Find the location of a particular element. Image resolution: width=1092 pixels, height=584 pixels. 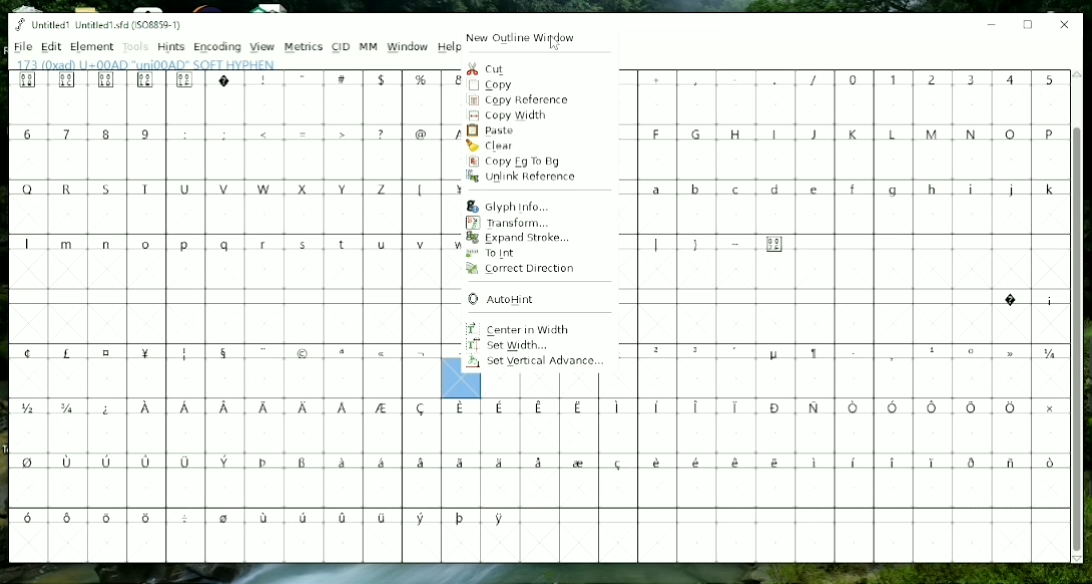

Center in Width is located at coordinates (517, 327).